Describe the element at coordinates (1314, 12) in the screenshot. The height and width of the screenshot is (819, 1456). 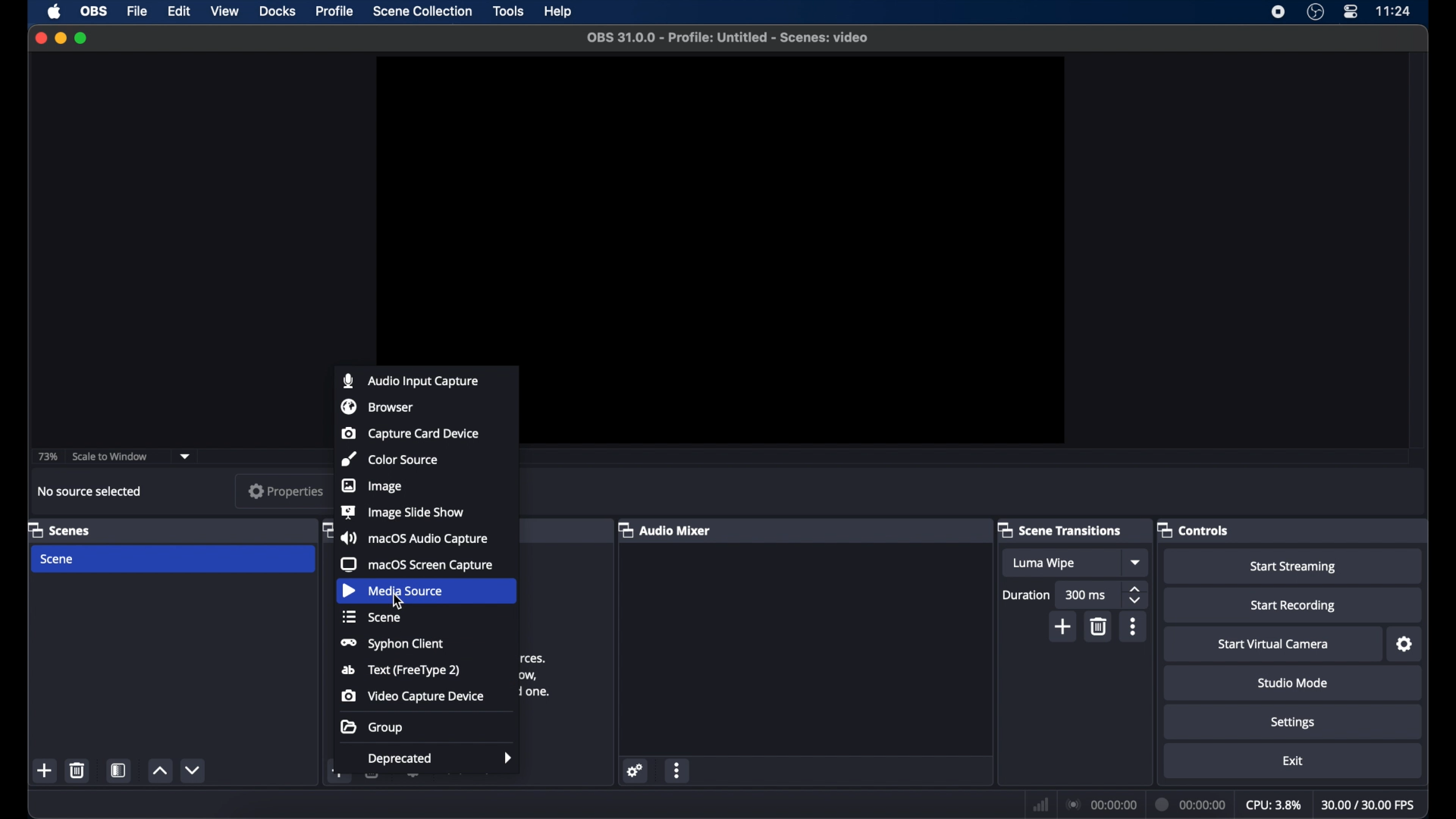
I see `obs studio` at that location.